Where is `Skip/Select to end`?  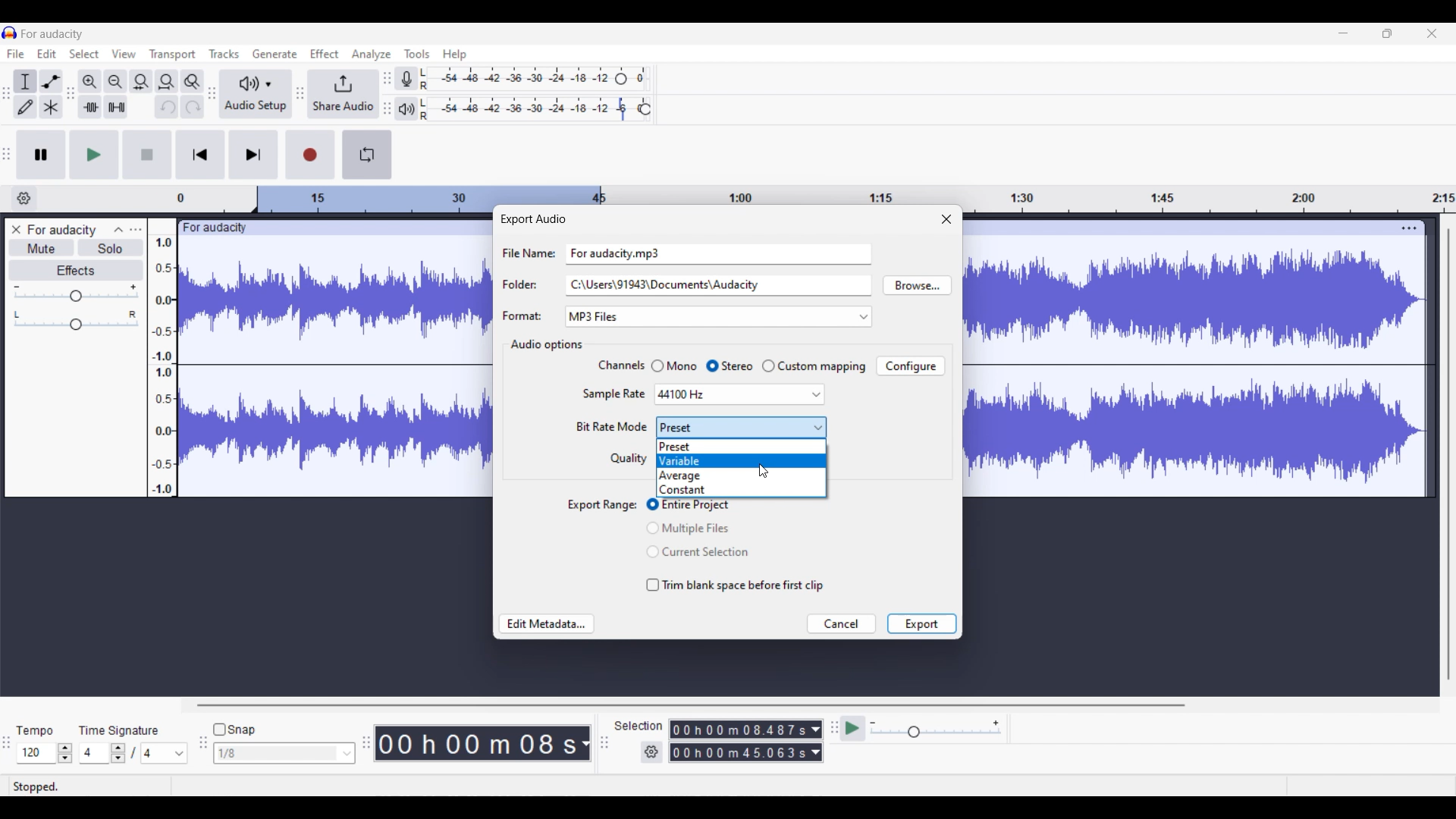
Skip/Select to end is located at coordinates (254, 154).